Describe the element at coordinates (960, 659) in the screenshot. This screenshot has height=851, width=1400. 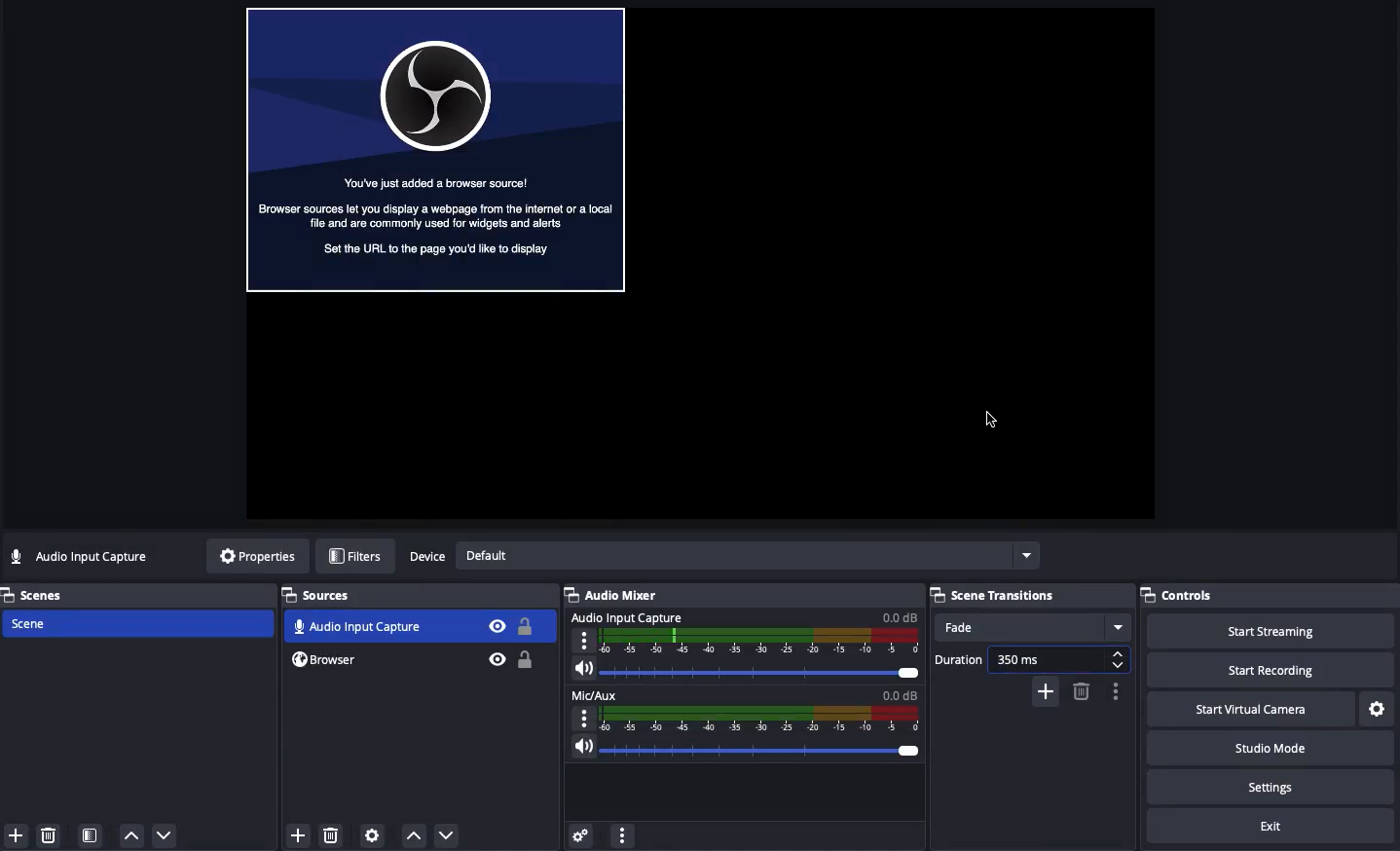
I see `Duration` at that location.